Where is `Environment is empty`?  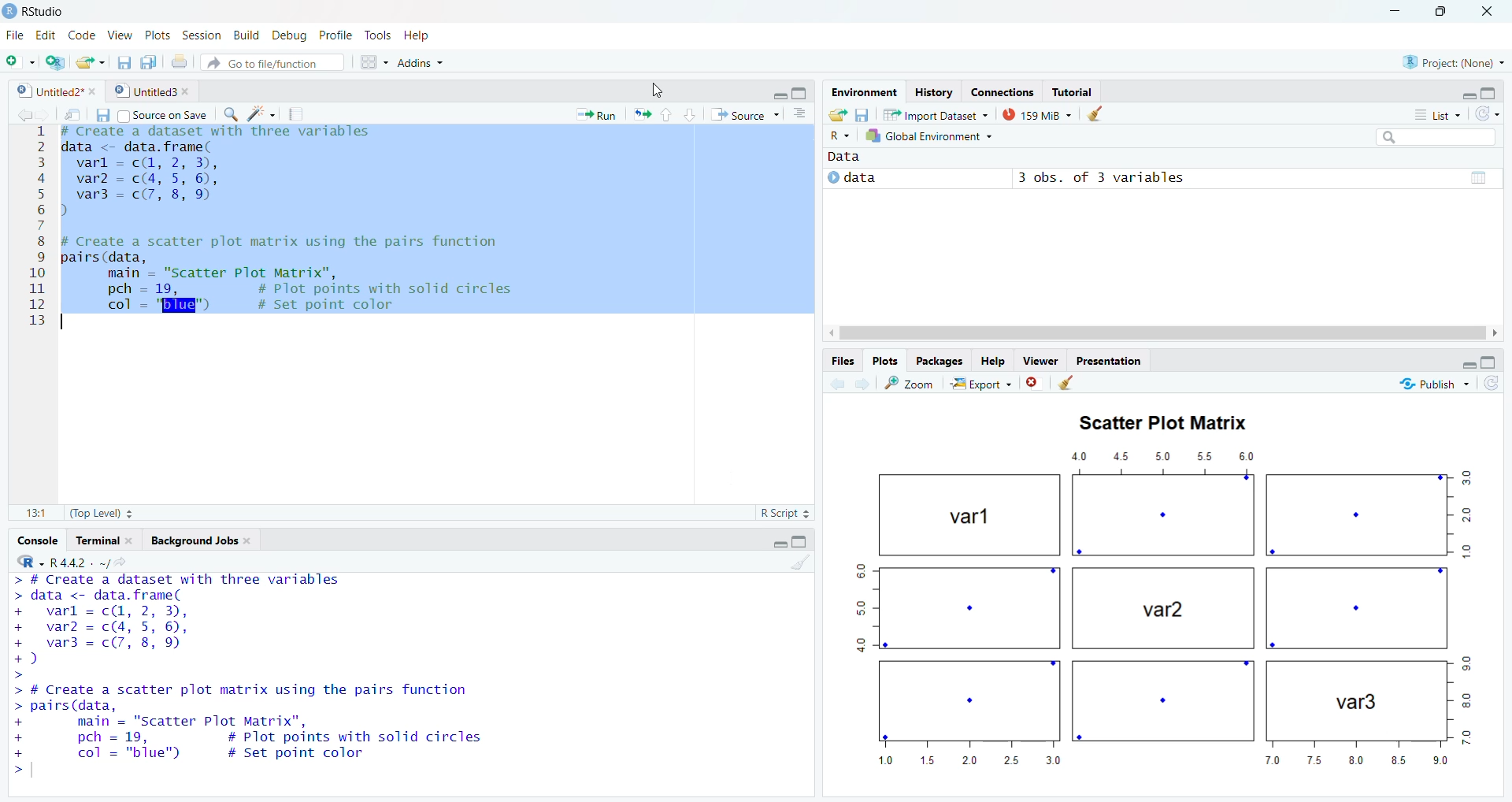
Environment is empty is located at coordinates (1161, 245).